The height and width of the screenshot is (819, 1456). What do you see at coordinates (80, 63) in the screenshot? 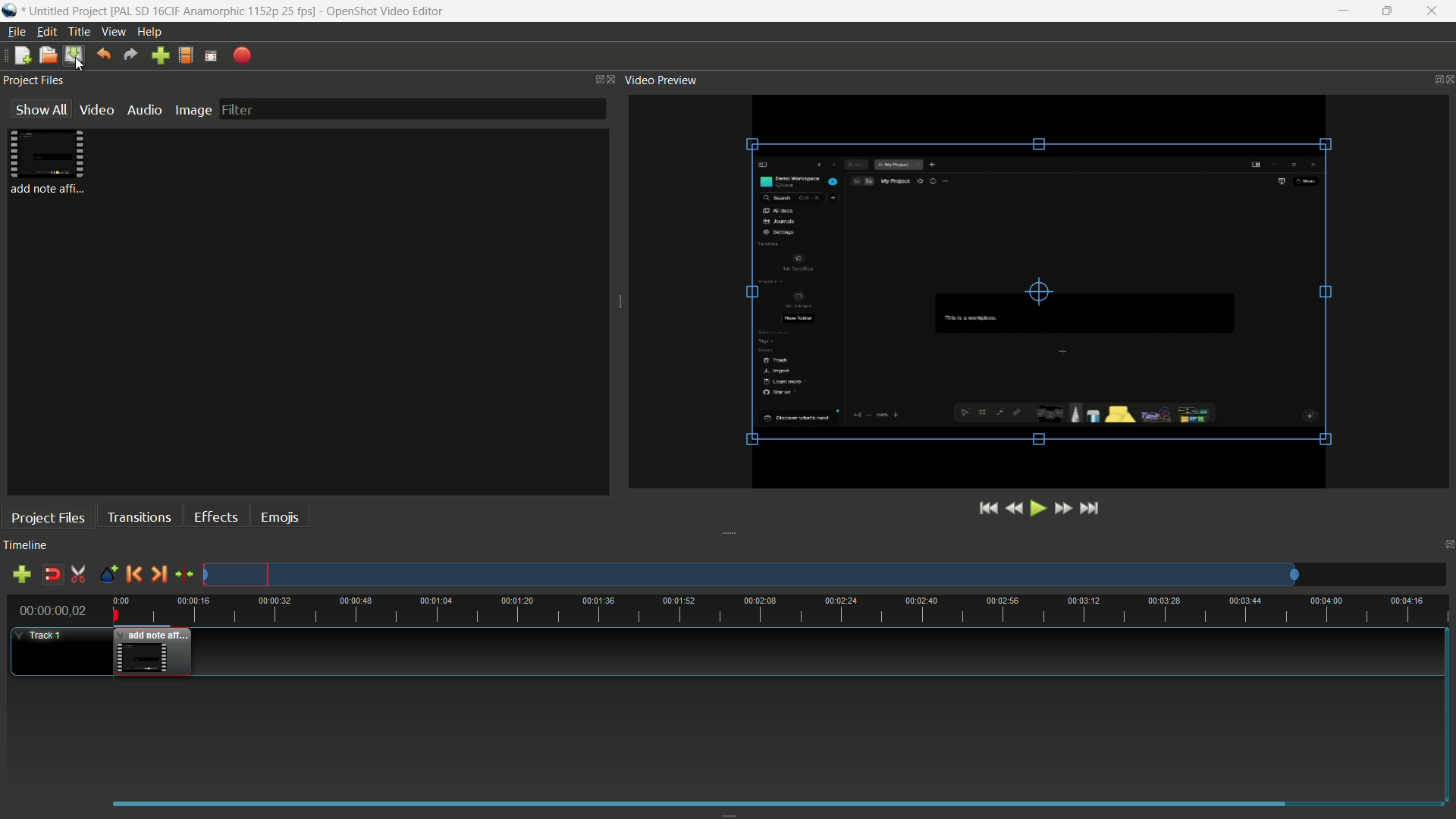
I see `Cursor` at bounding box center [80, 63].